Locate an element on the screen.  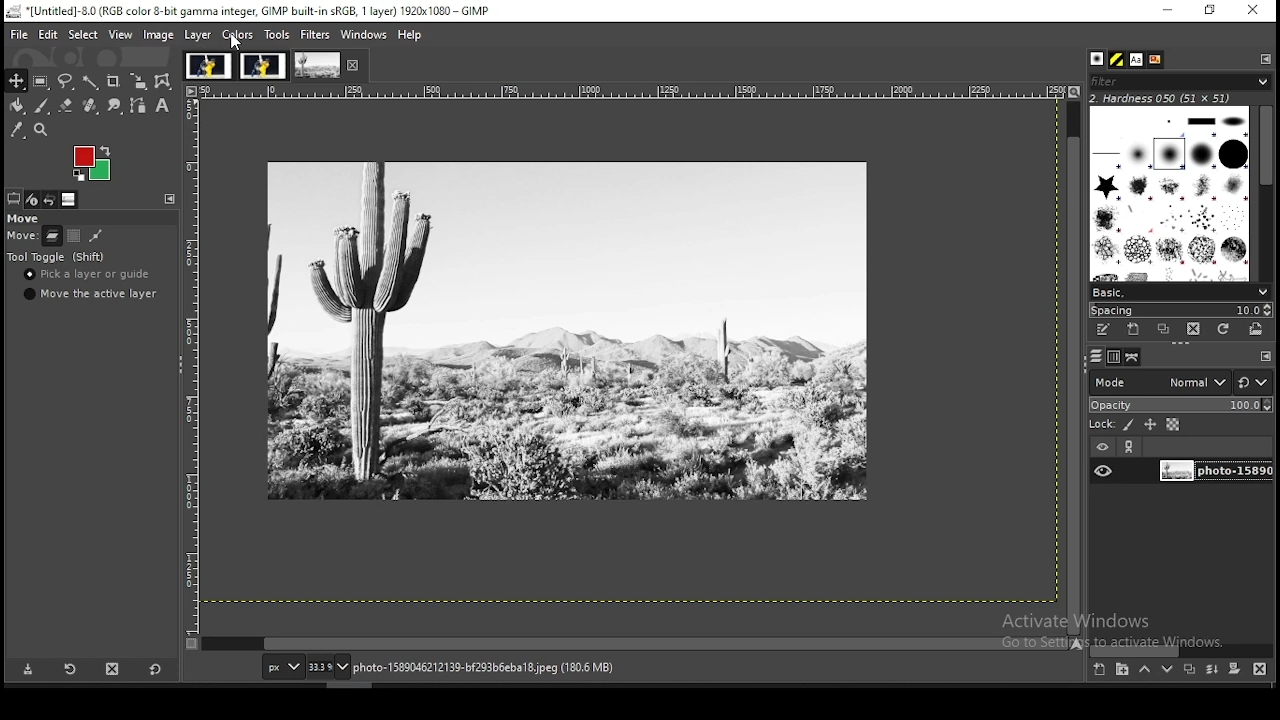
paint bucket tool is located at coordinates (17, 106).